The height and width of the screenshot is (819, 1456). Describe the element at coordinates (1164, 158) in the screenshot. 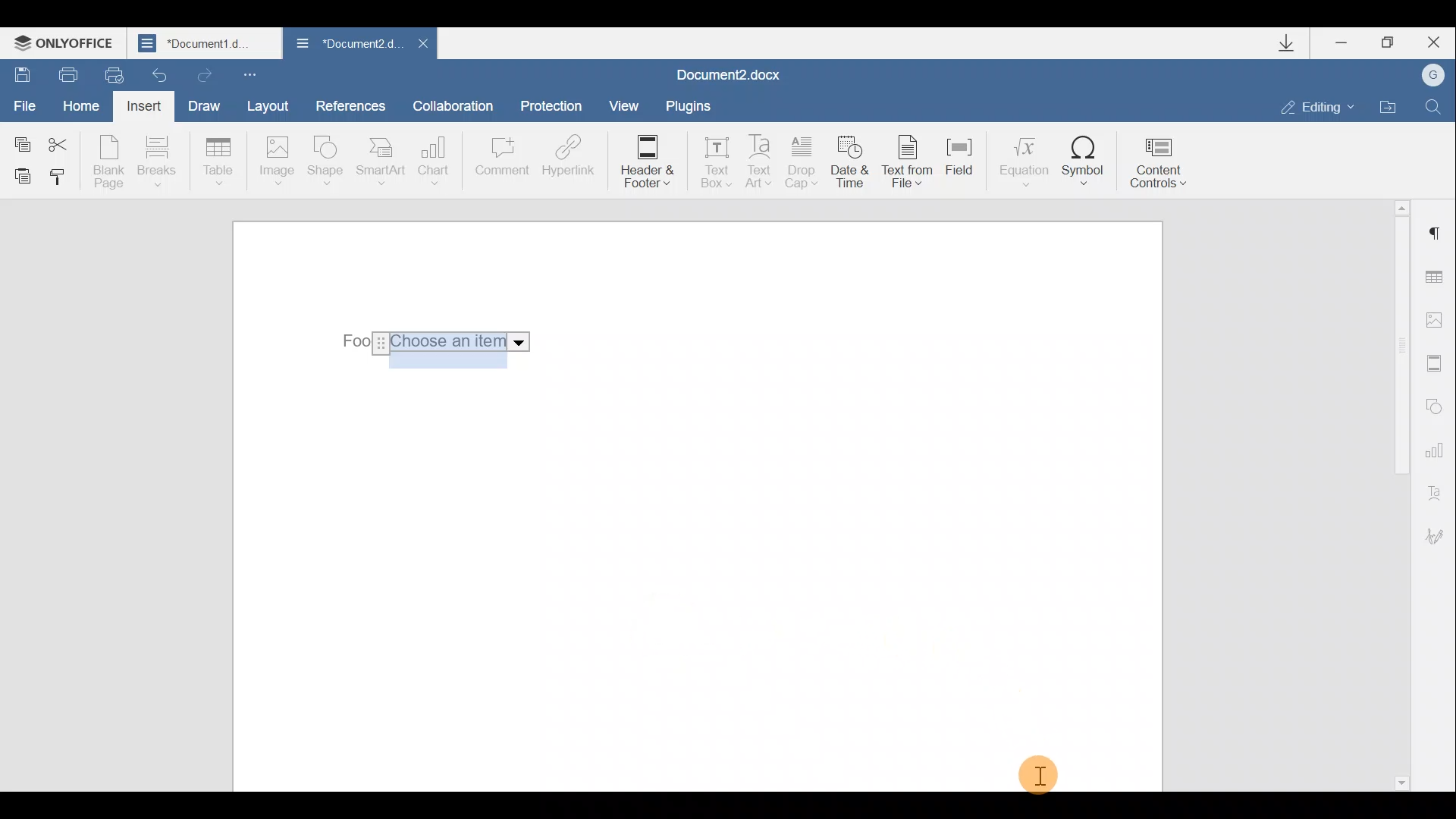

I see `Content controls` at that location.